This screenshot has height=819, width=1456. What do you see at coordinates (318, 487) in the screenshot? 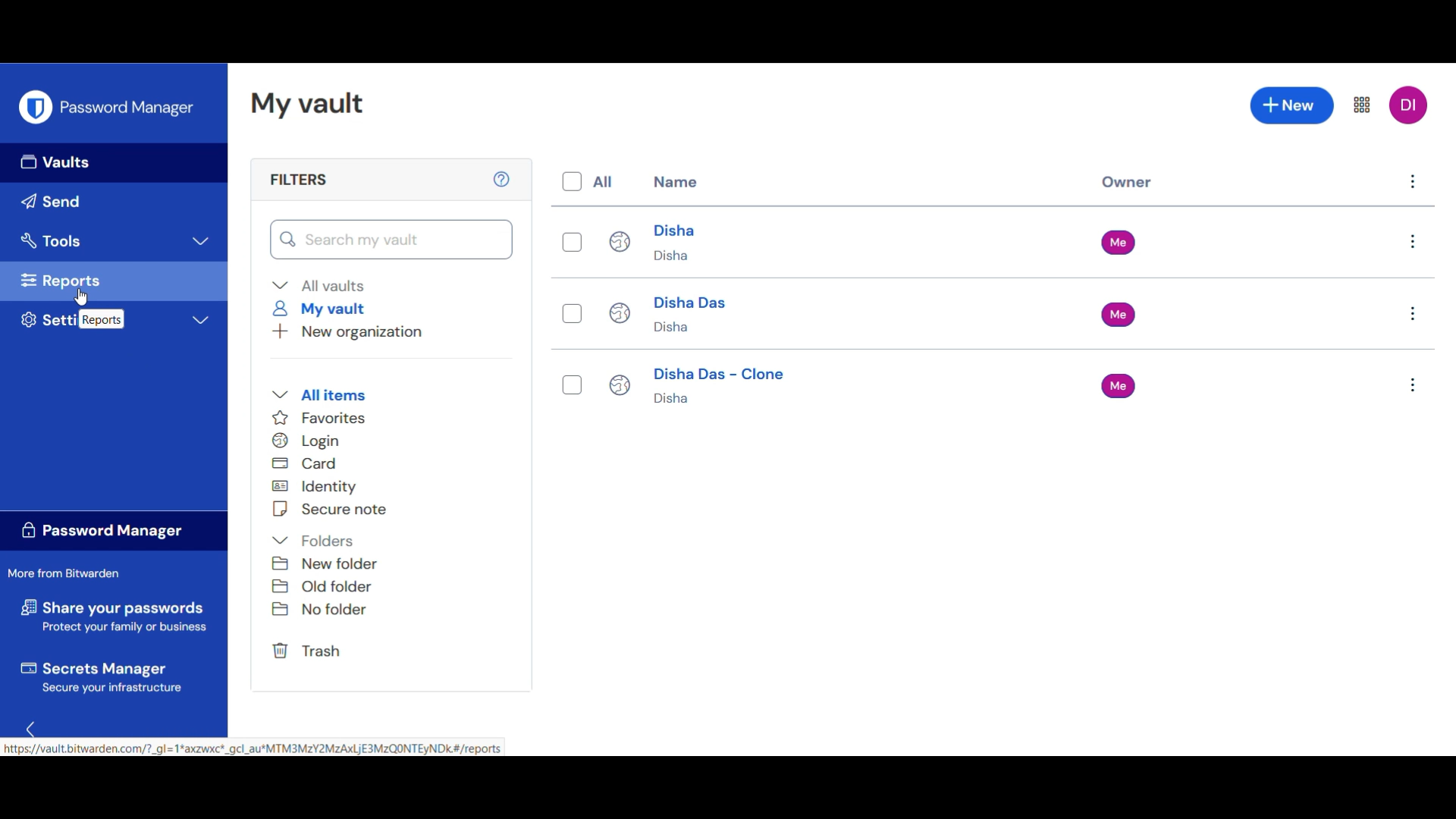
I see `Identity` at bounding box center [318, 487].